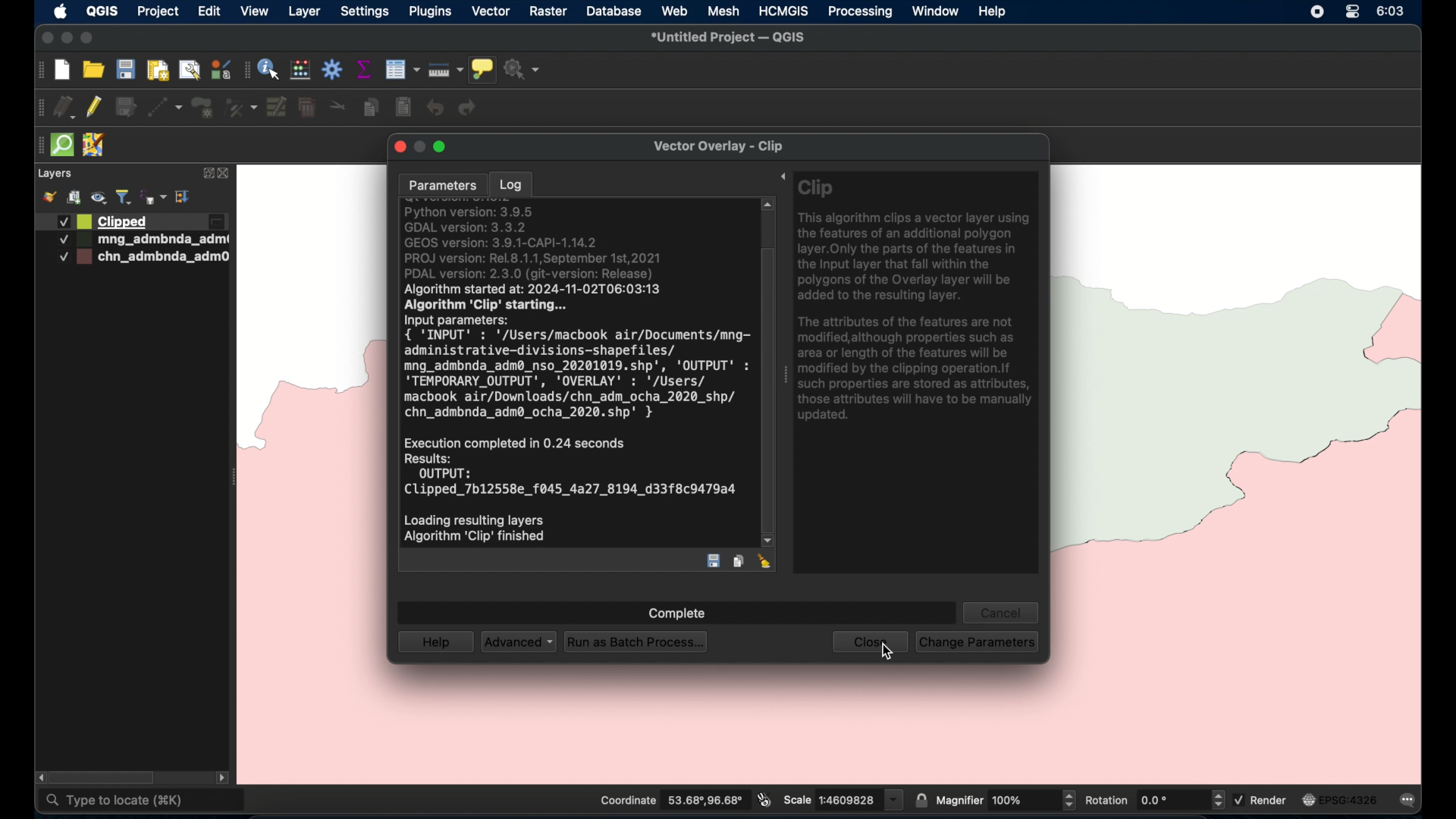 The height and width of the screenshot is (819, 1456). What do you see at coordinates (364, 13) in the screenshot?
I see `settings` at bounding box center [364, 13].